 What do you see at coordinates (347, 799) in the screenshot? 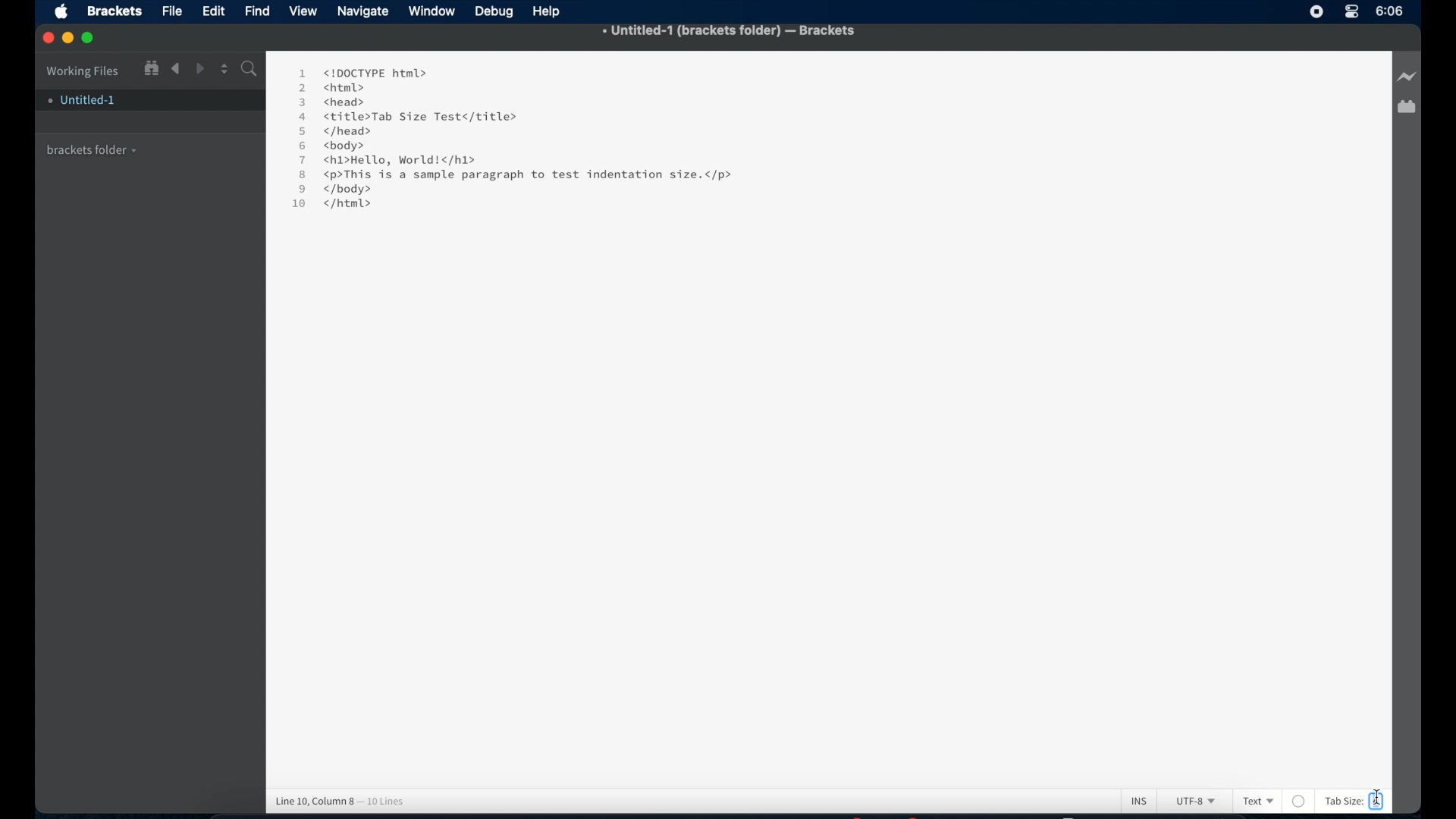
I see `Line 10, Column 8-10 Lines` at bounding box center [347, 799].